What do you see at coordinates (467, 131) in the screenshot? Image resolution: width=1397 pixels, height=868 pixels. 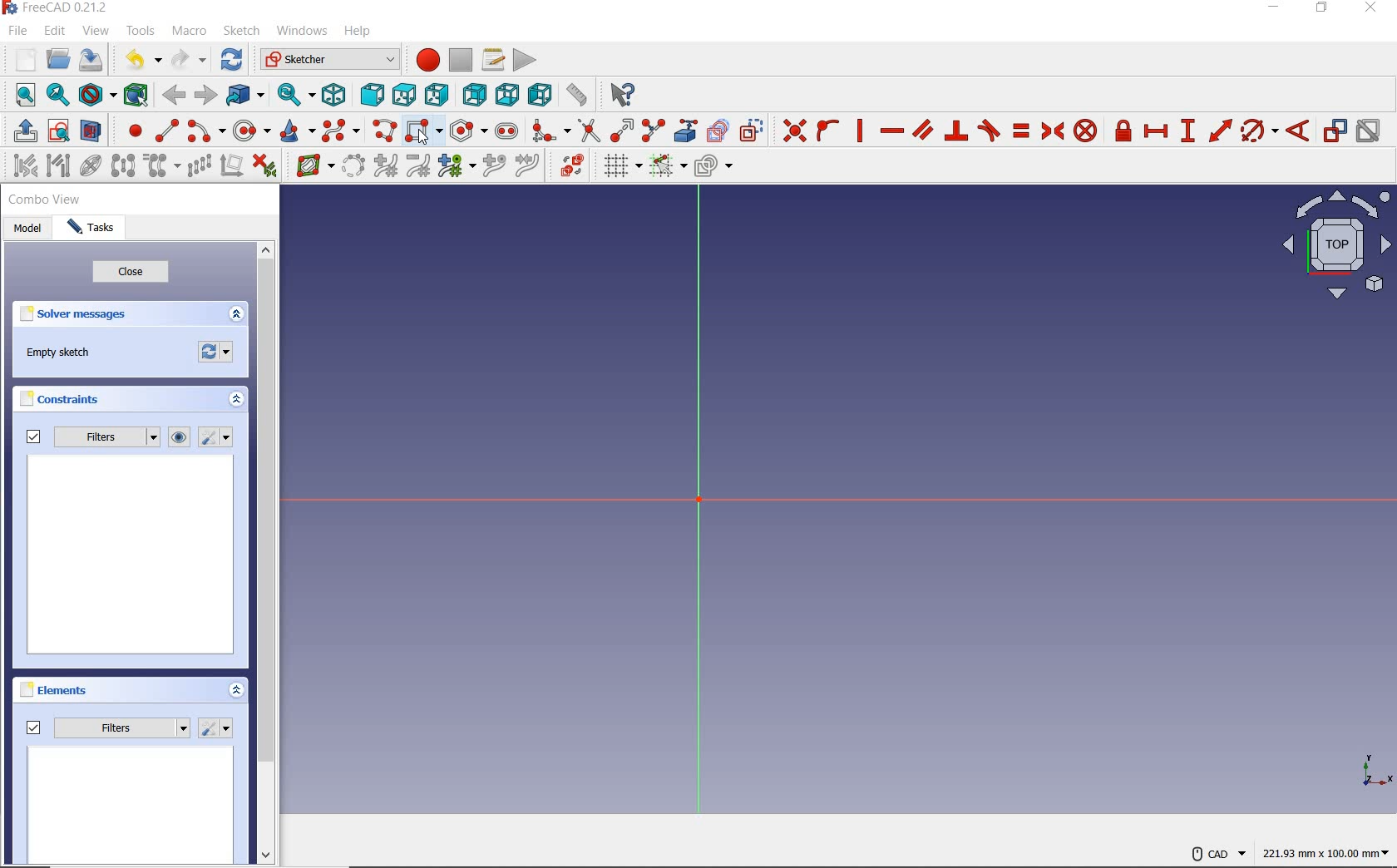 I see `create regular polygon` at bounding box center [467, 131].